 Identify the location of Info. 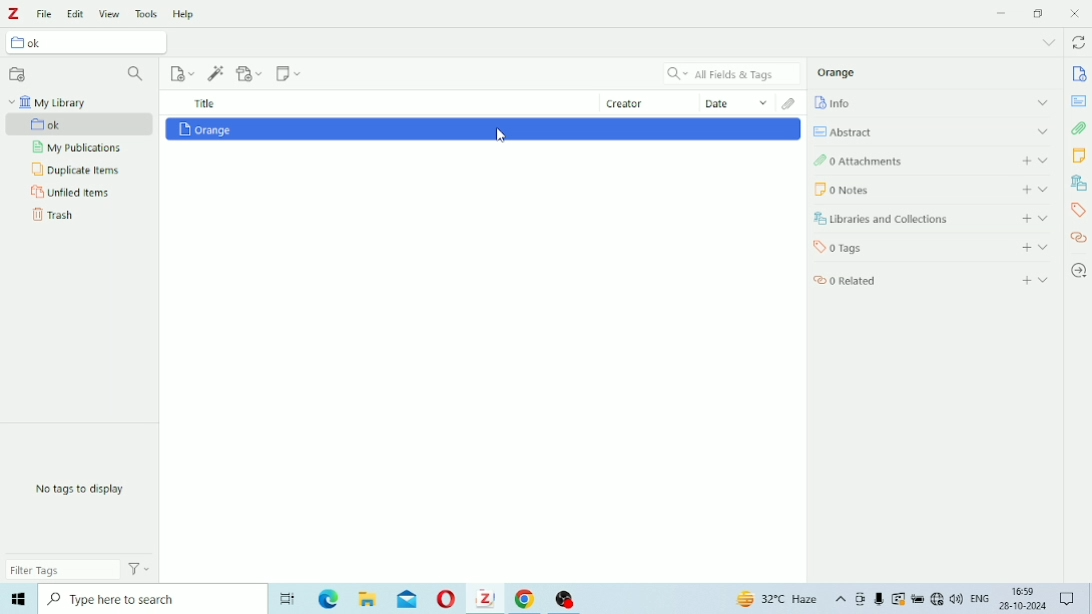
(1080, 74).